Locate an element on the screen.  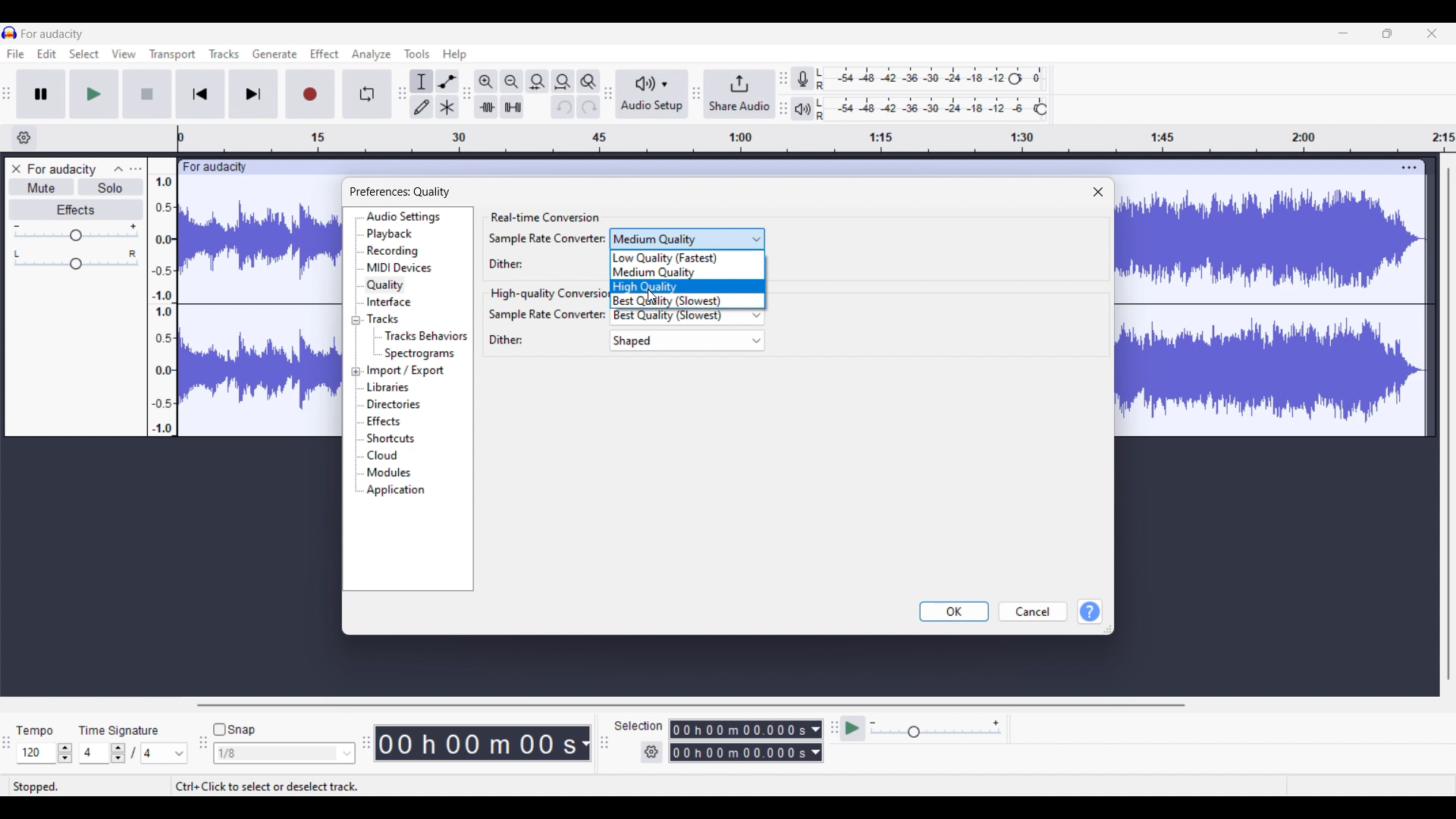
Modules is located at coordinates (389, 473).